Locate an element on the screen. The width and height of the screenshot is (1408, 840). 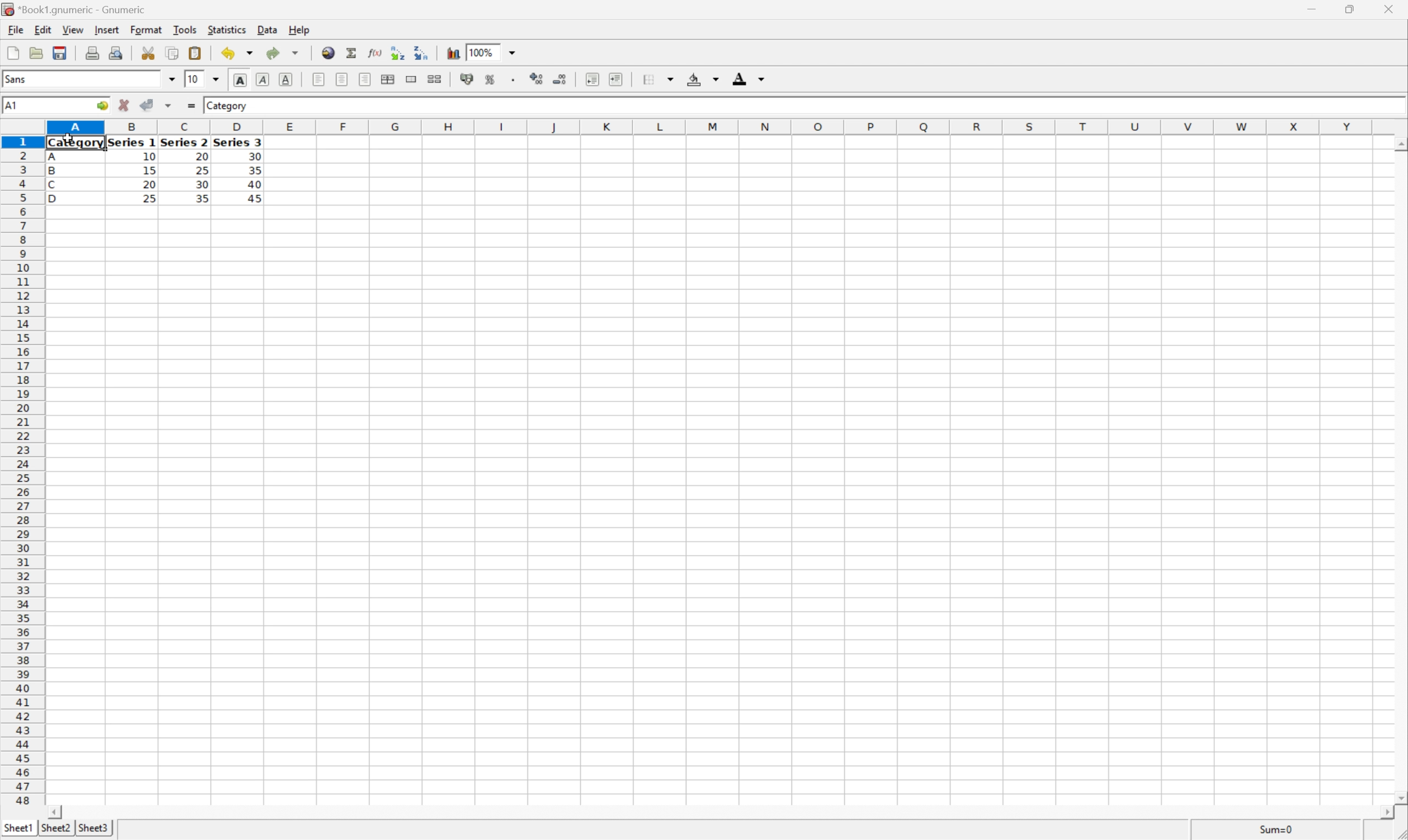
15 is located at coordinates (149, 170).